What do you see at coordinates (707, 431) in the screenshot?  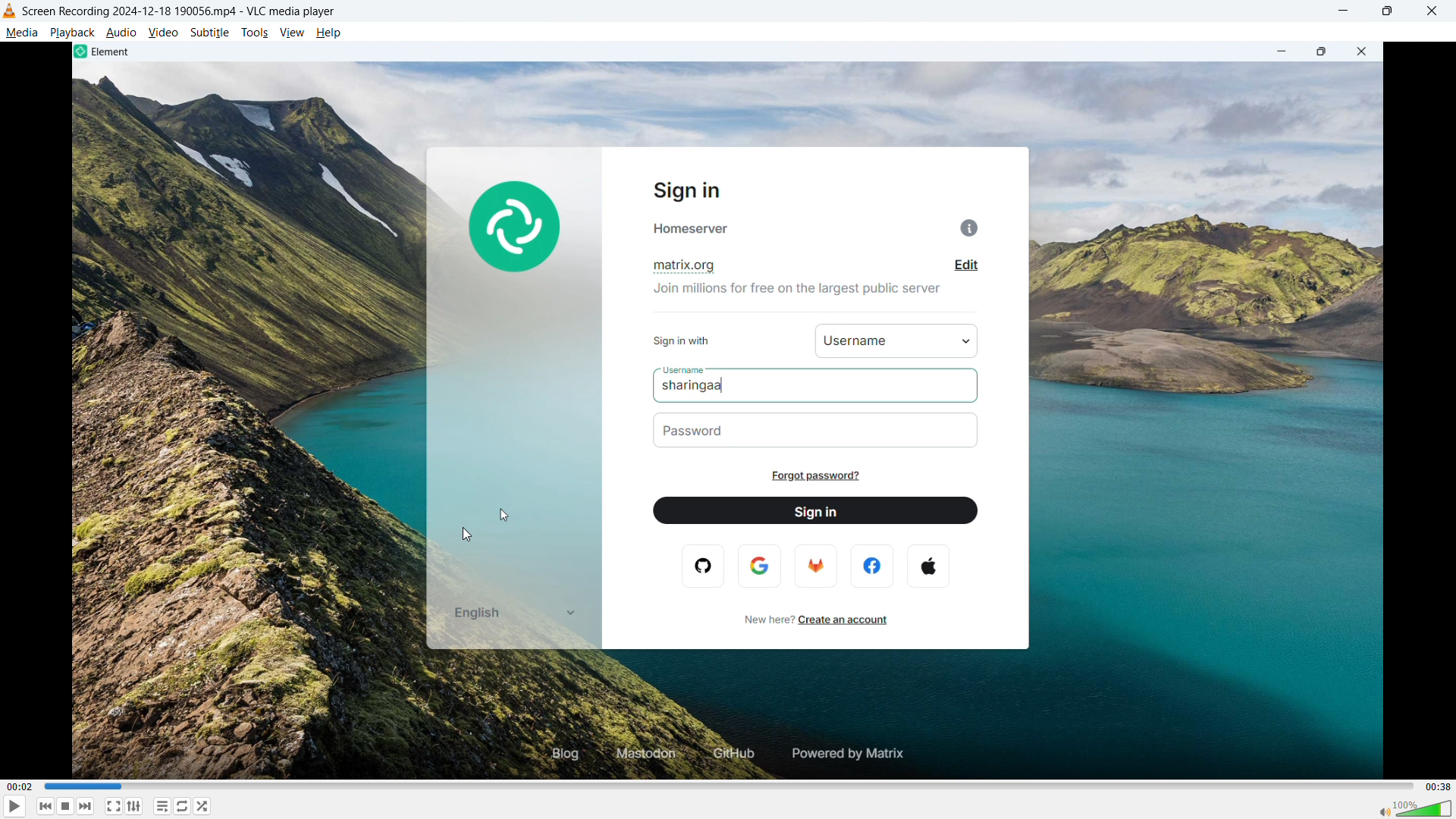 I see `Password` at bounding box center [707, 431].